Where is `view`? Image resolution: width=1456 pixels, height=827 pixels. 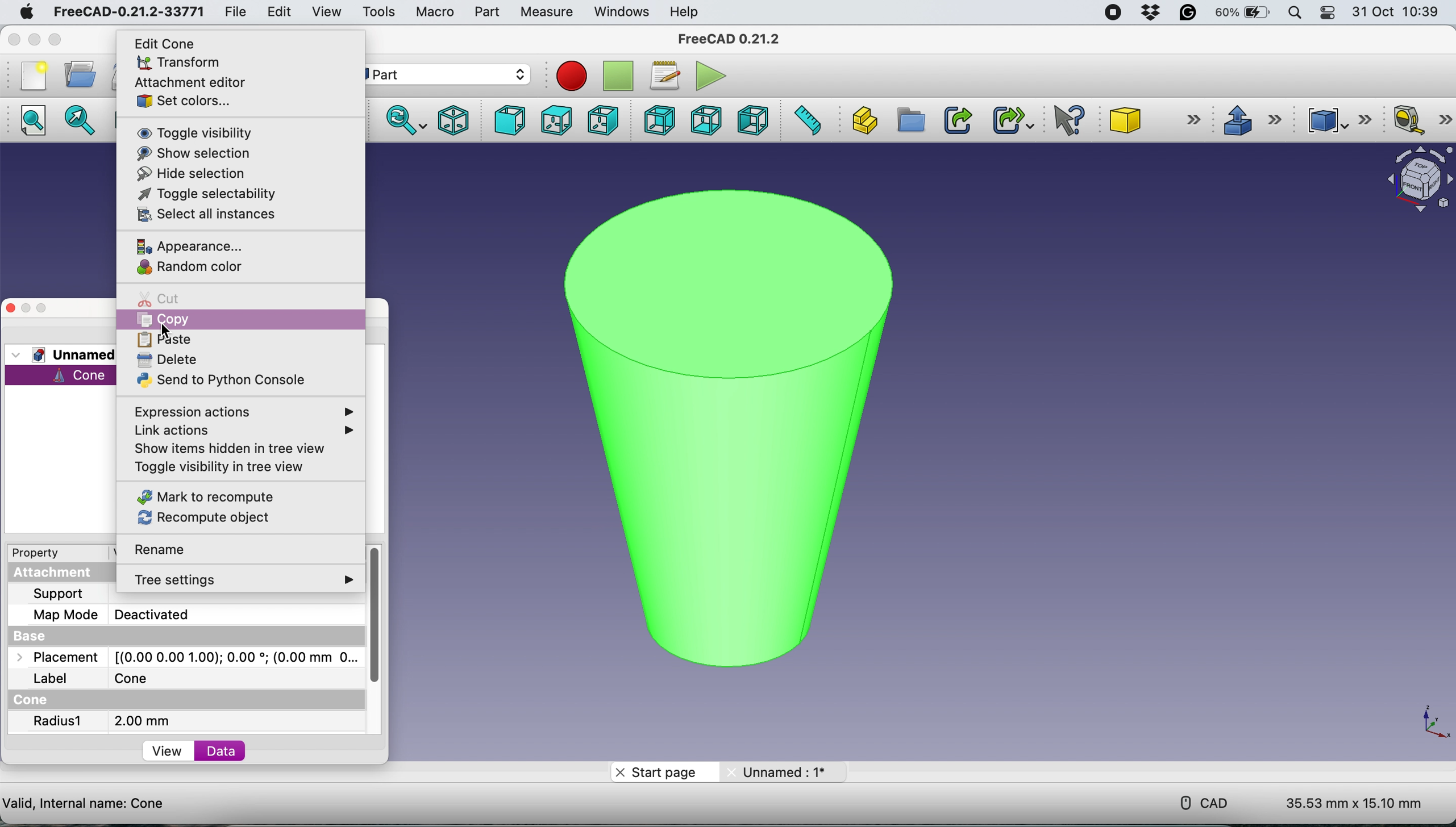 view is located at coordinates (169, 753).